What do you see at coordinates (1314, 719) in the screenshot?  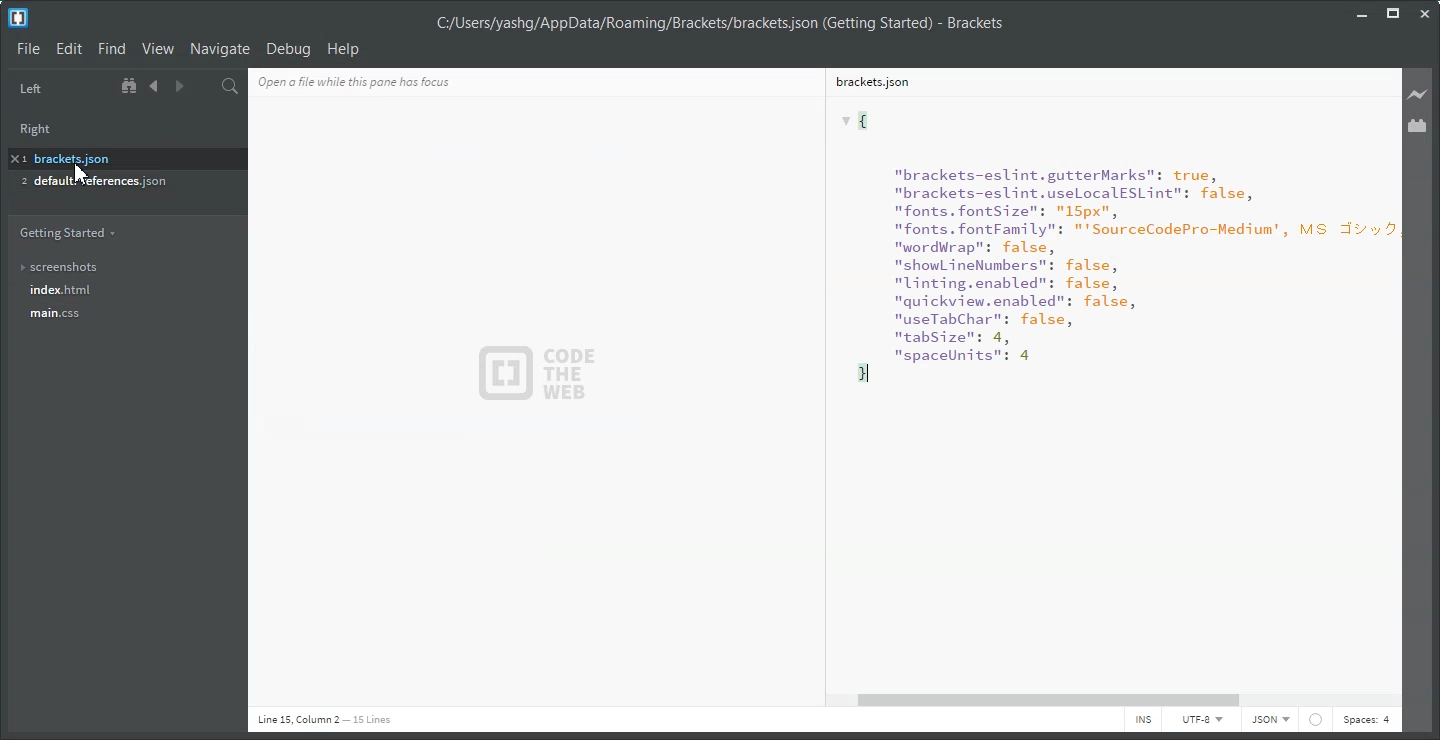 I see `circle` at bounding box center [1314, 719].